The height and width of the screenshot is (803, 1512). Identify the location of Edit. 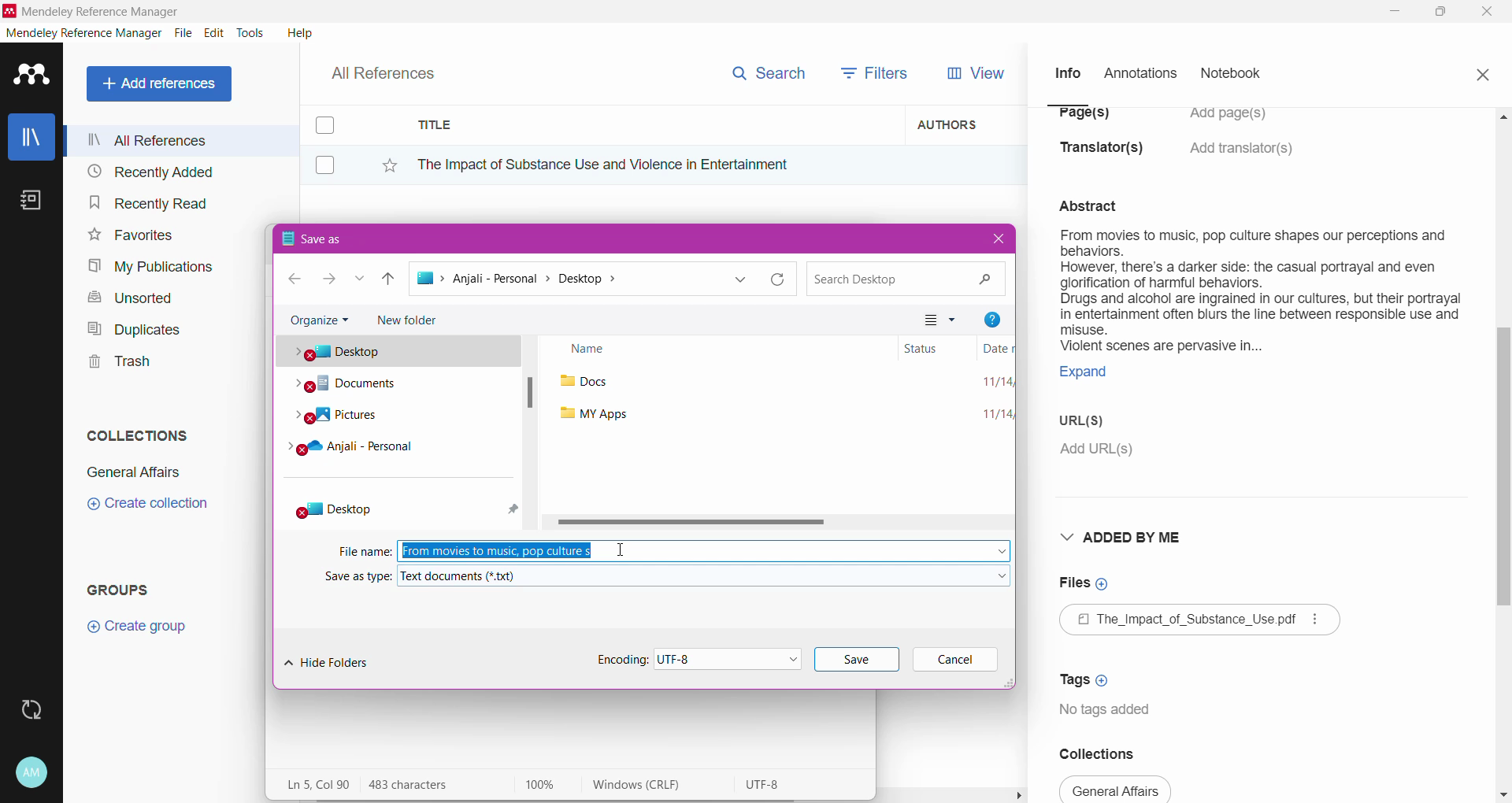
(214, 33).